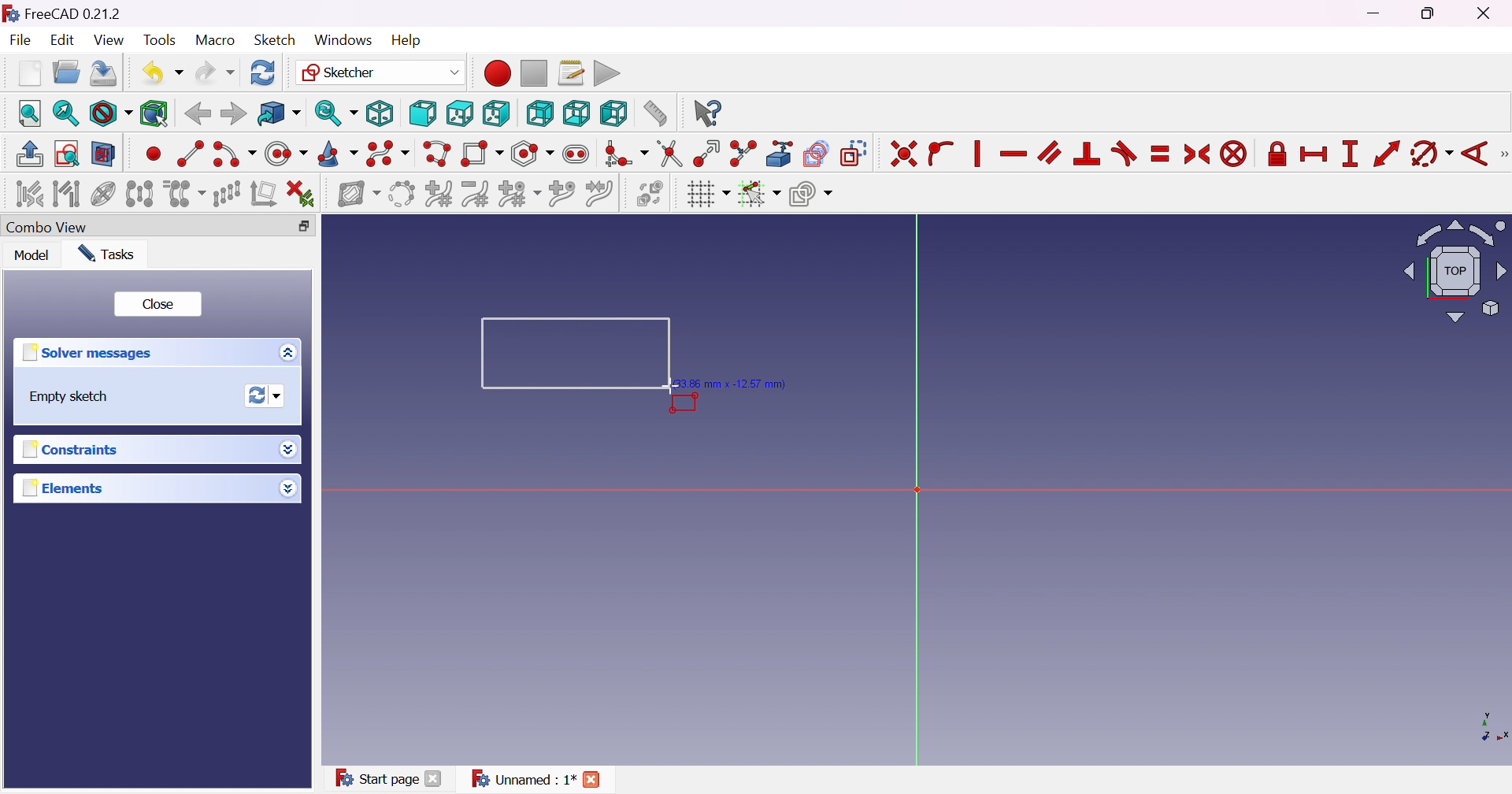 This screenshot has height=794, width=1512. I want to click on Stop macro recording..., so click(535, 72).